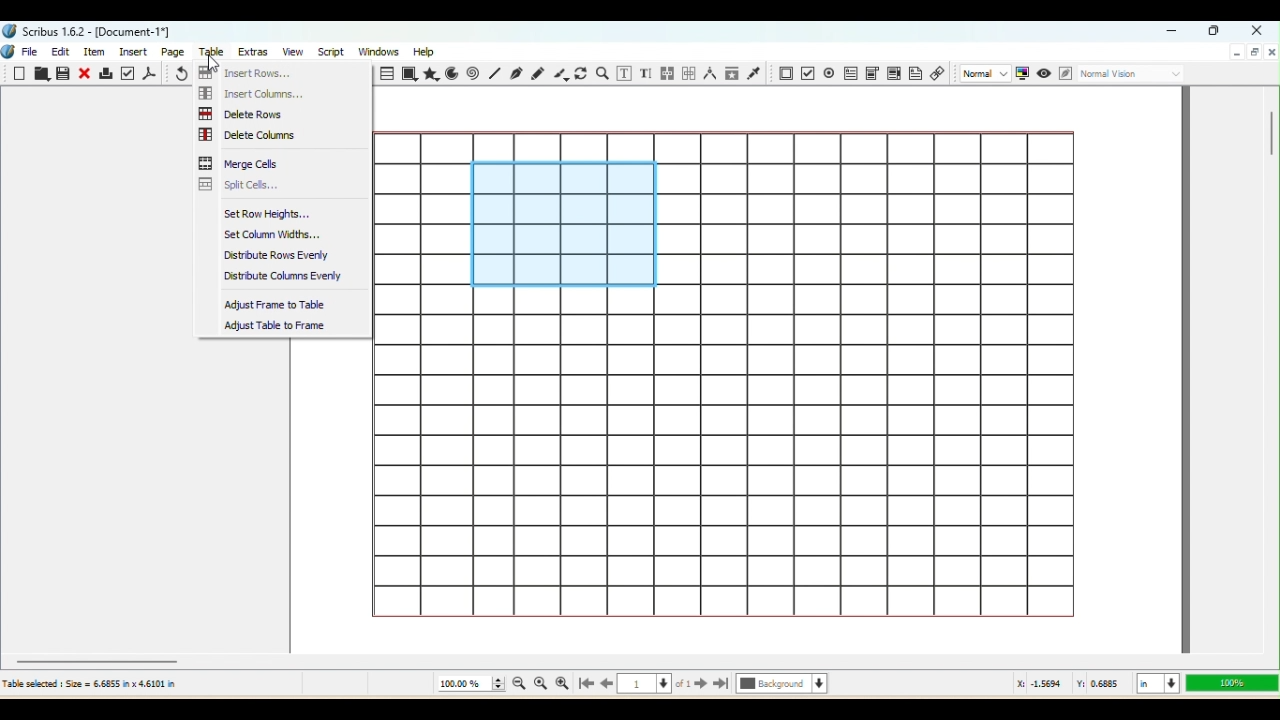 This screenshot has width=1280, height=720. What do you see at coordinates (871, 71) in the screenshot?
I see `PDF combo box` at bounding box center [871, 71].